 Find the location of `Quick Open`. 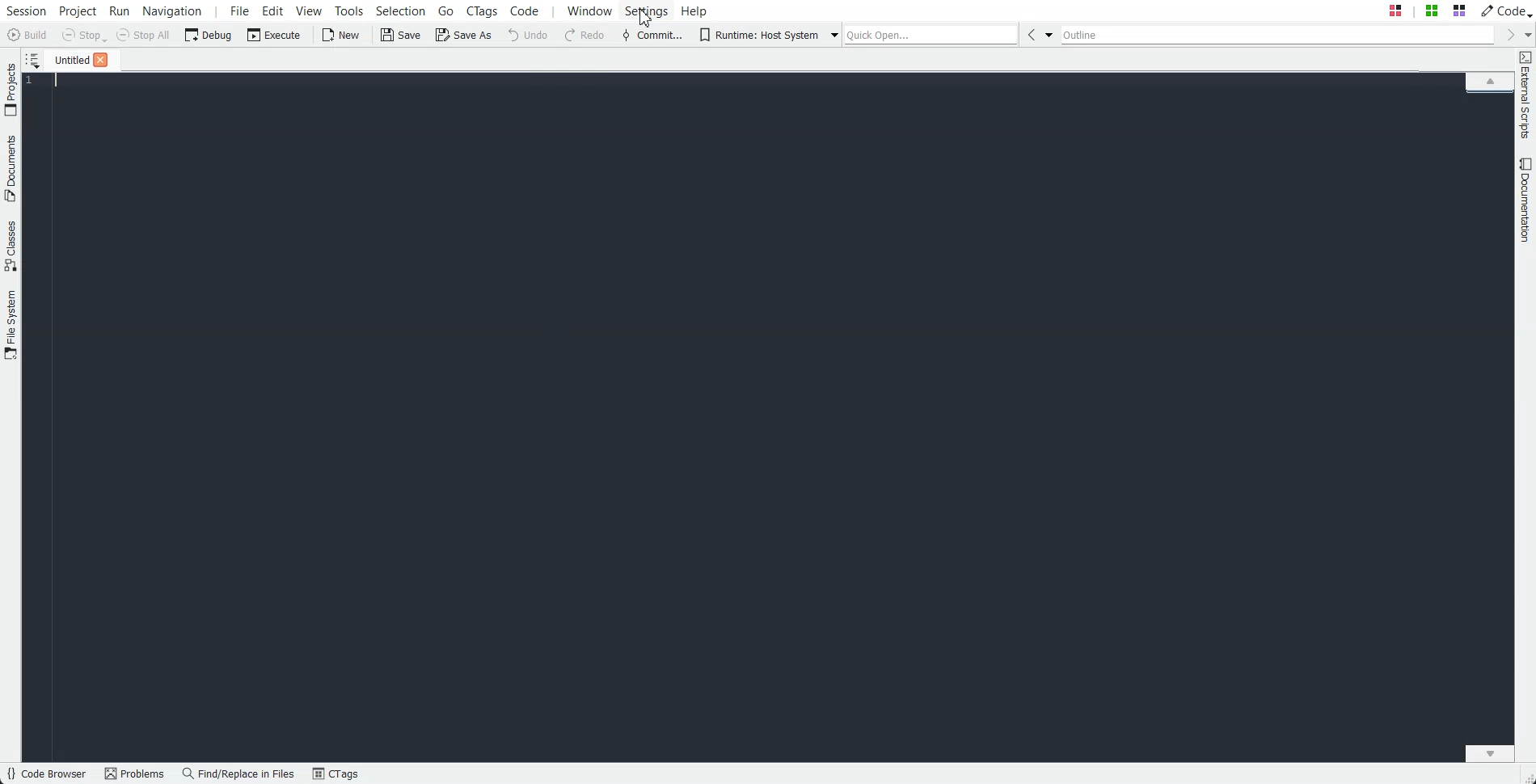

Quick Open is located at coordinates (1427, 11).